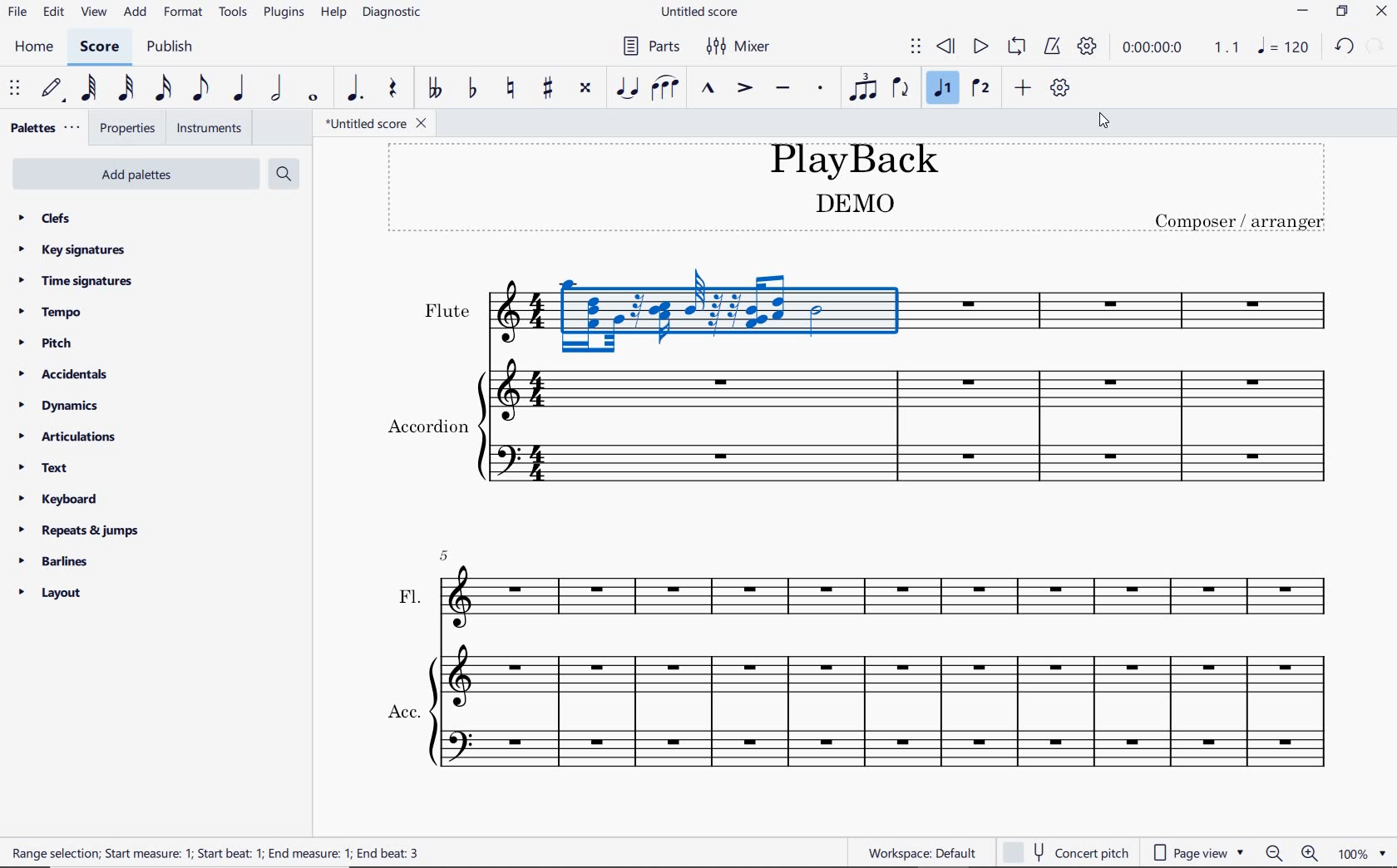  What do you see at coordinates (666, 89) in the screenshot?
I see `slur` at bounding box center [666, 89].